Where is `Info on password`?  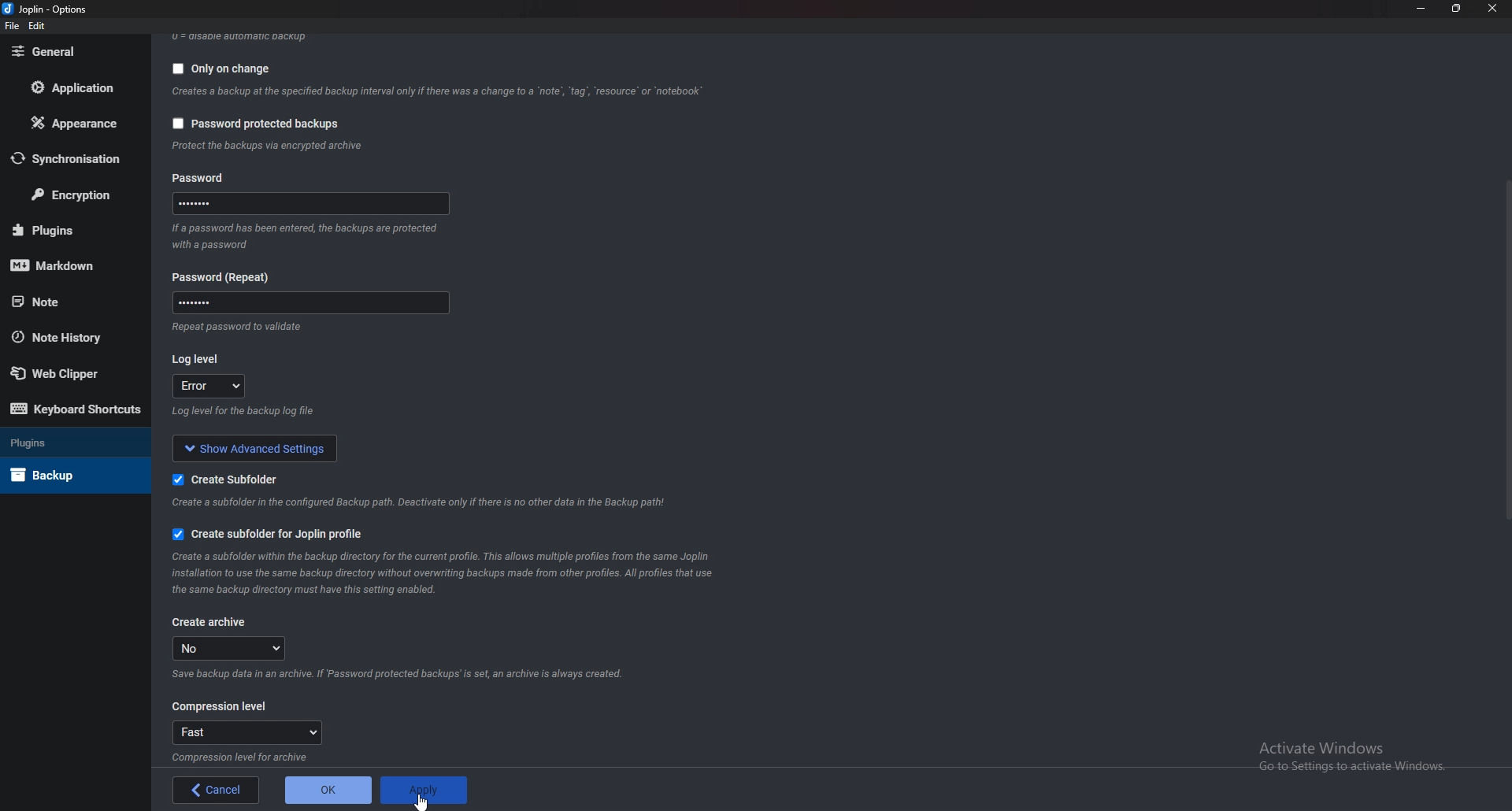 Info on password is located at coordinates (243, 330).